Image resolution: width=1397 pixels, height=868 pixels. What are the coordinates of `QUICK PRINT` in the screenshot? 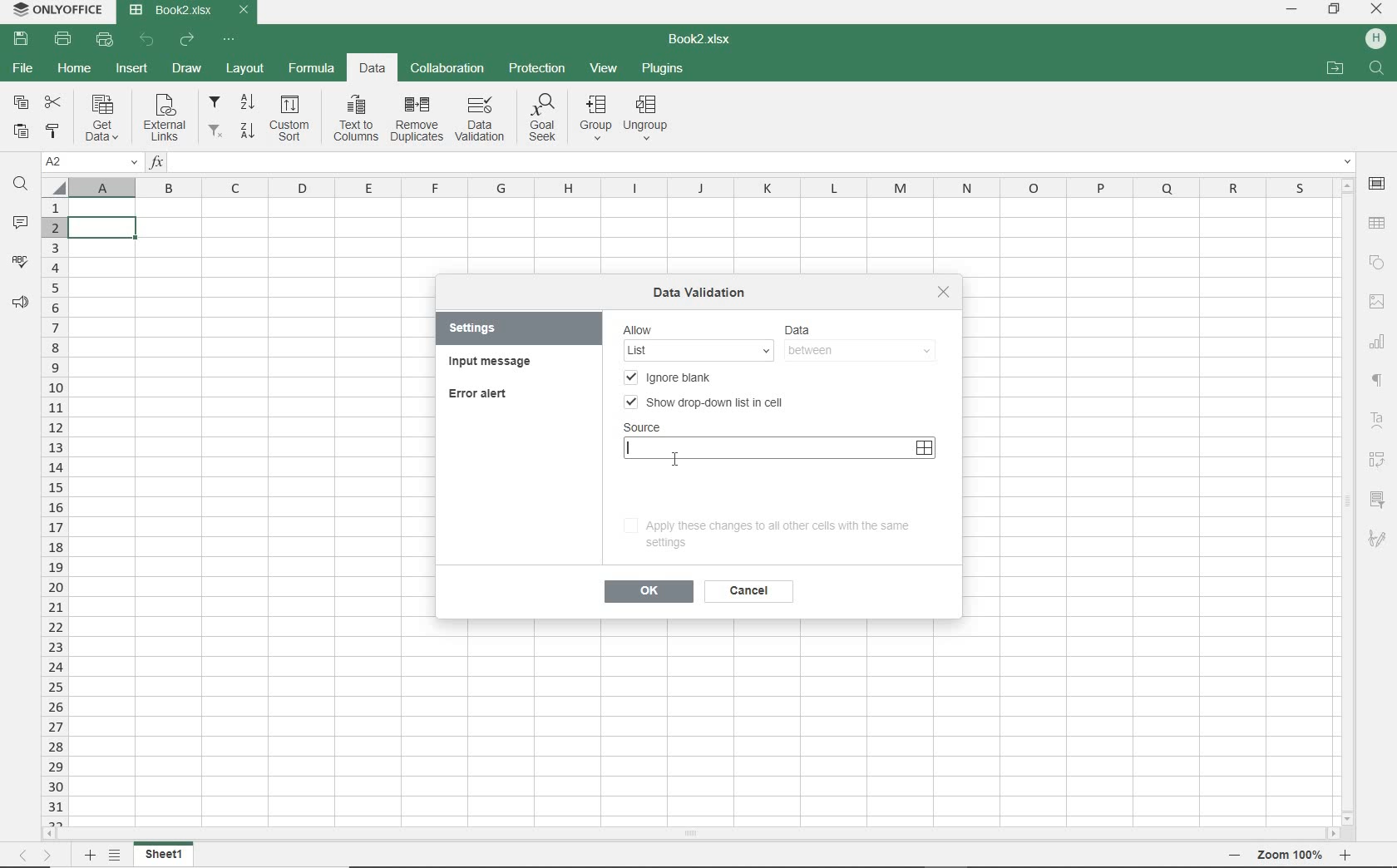 It's located at (102, 37).